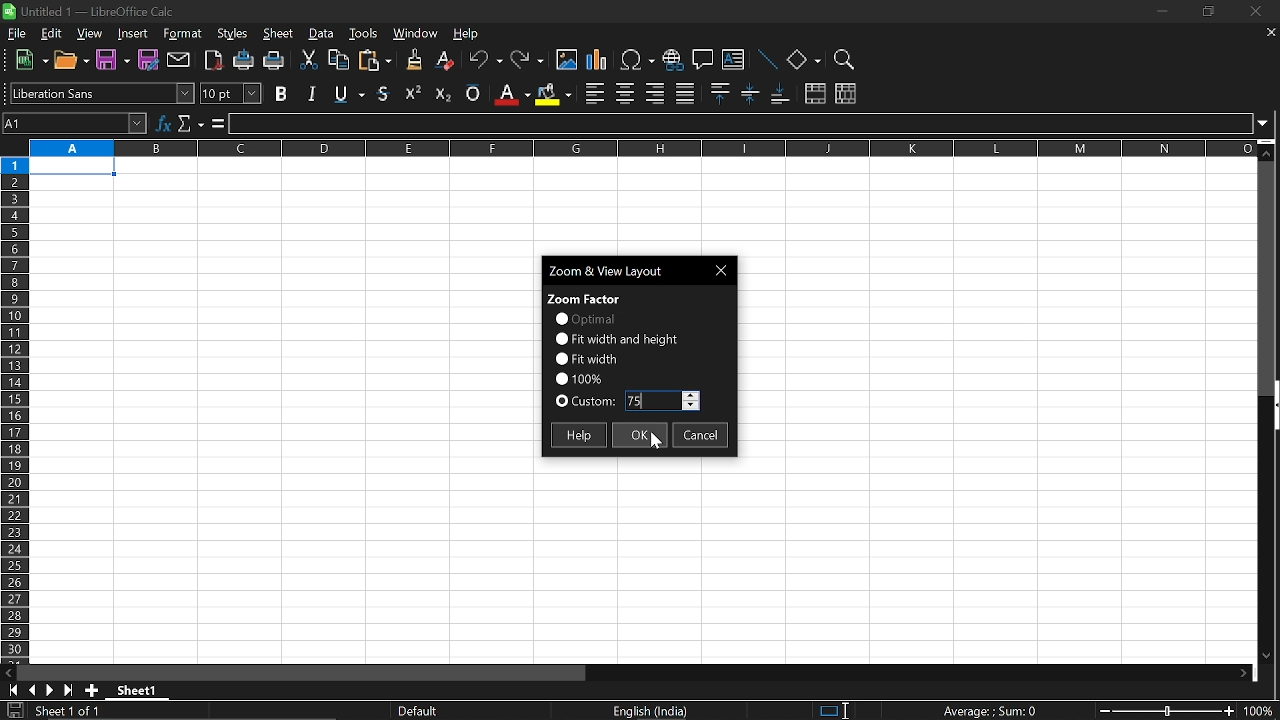  What do you see at coordinates (70, 691) in the screenshot?
I see `go to last page` at bounding box center [70, 691].